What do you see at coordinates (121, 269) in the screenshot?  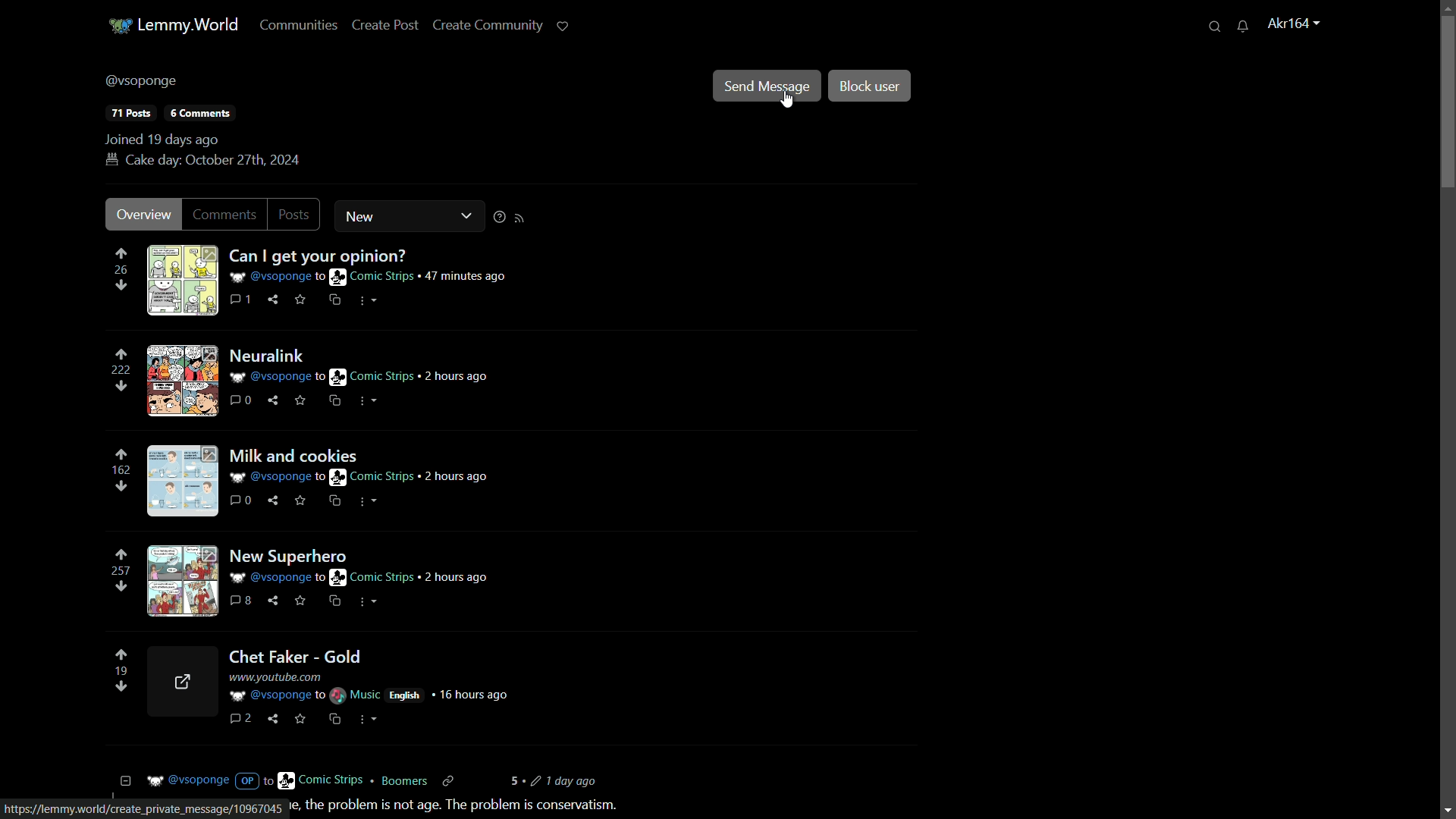 I see `number of votes` at bounding box center [121, 269].